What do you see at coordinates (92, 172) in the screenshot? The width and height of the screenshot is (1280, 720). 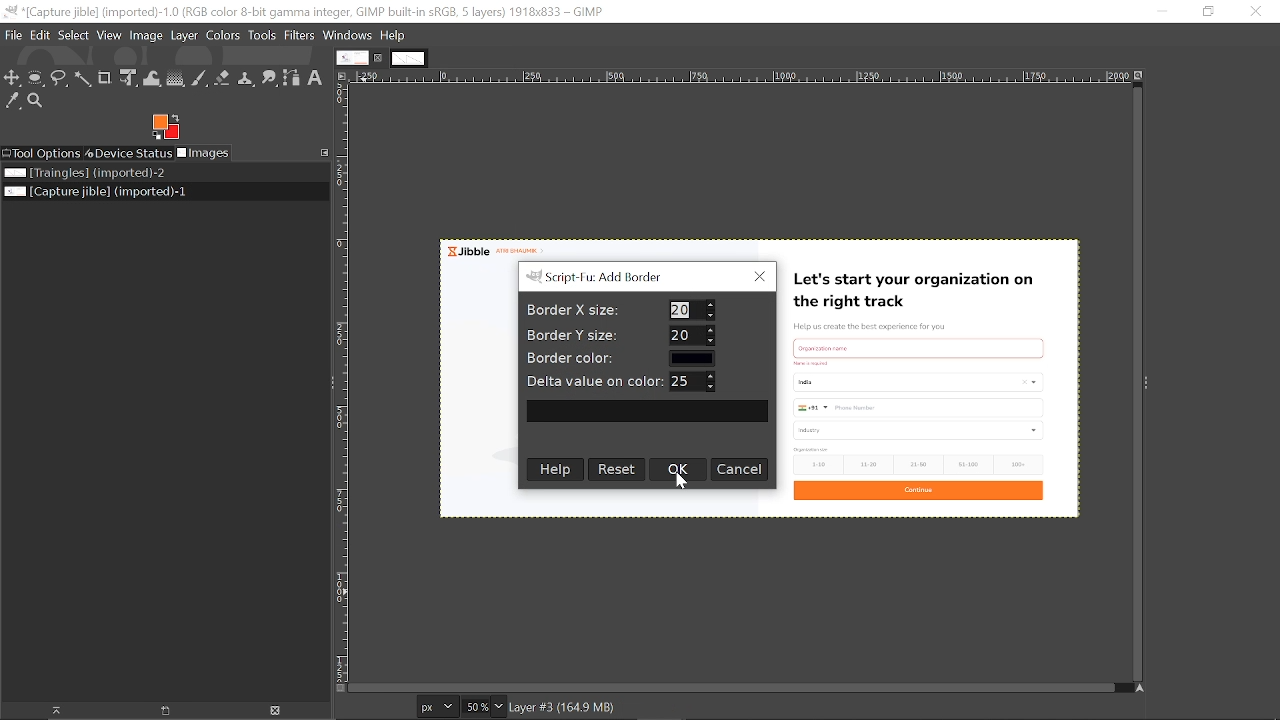 I see `Image file named "Triangles"` at bounding box center [92, 172].